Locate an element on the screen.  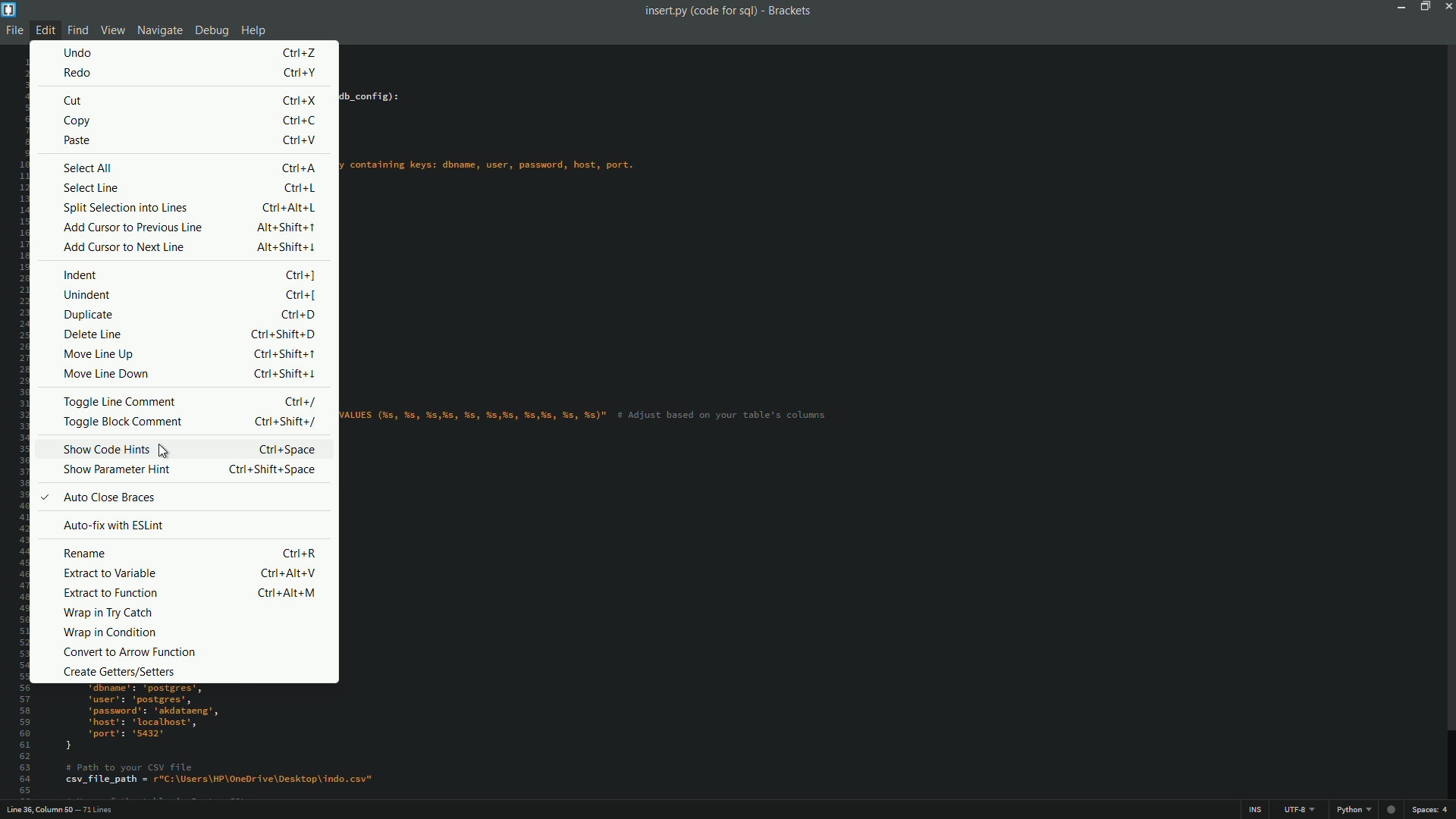
indent is located at coordinates (83, 275).